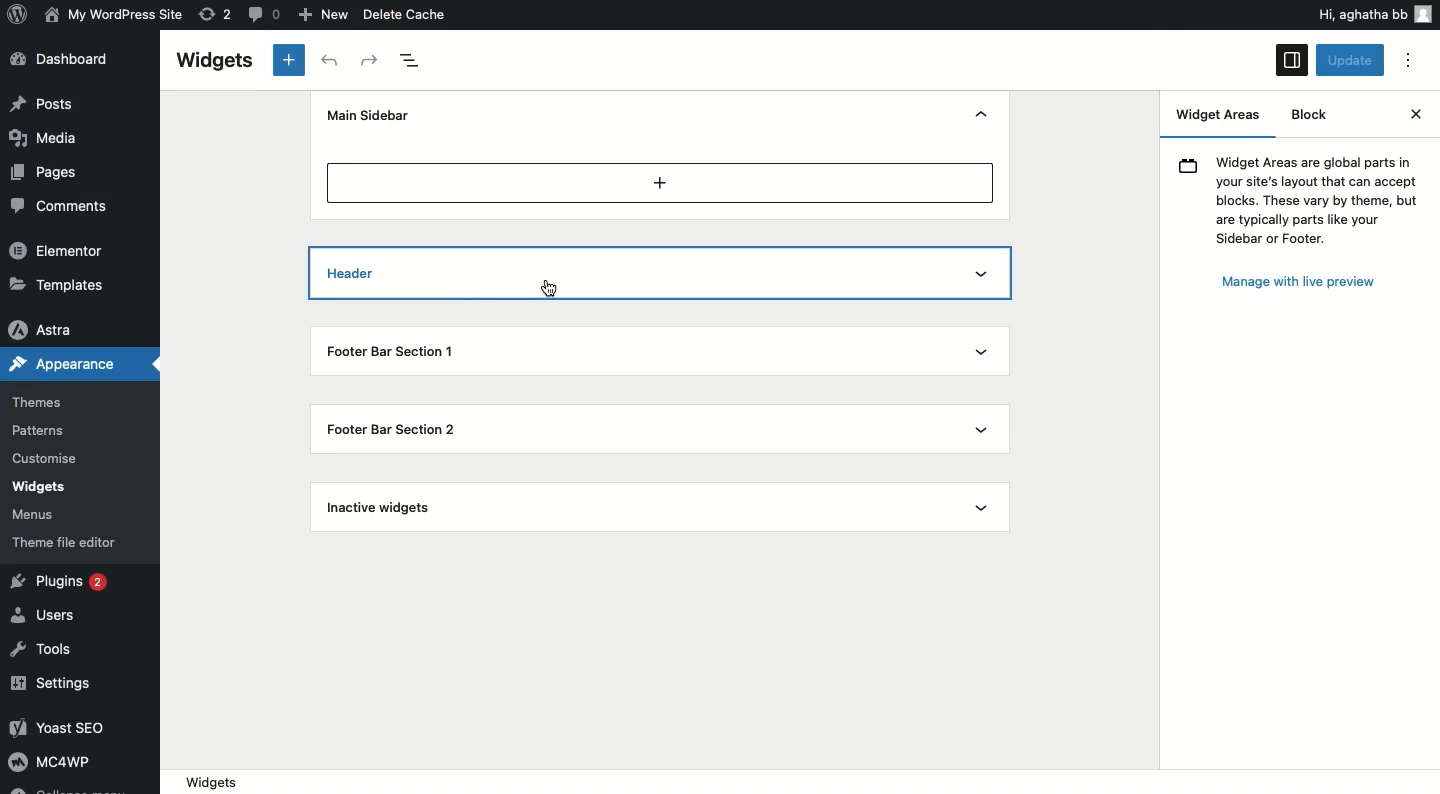 The width and height of the screenshot is (1440, 794). What do you see at coordinates (394, 274) in the screenshot?
I see `Header` at bounding box center [394, 274].